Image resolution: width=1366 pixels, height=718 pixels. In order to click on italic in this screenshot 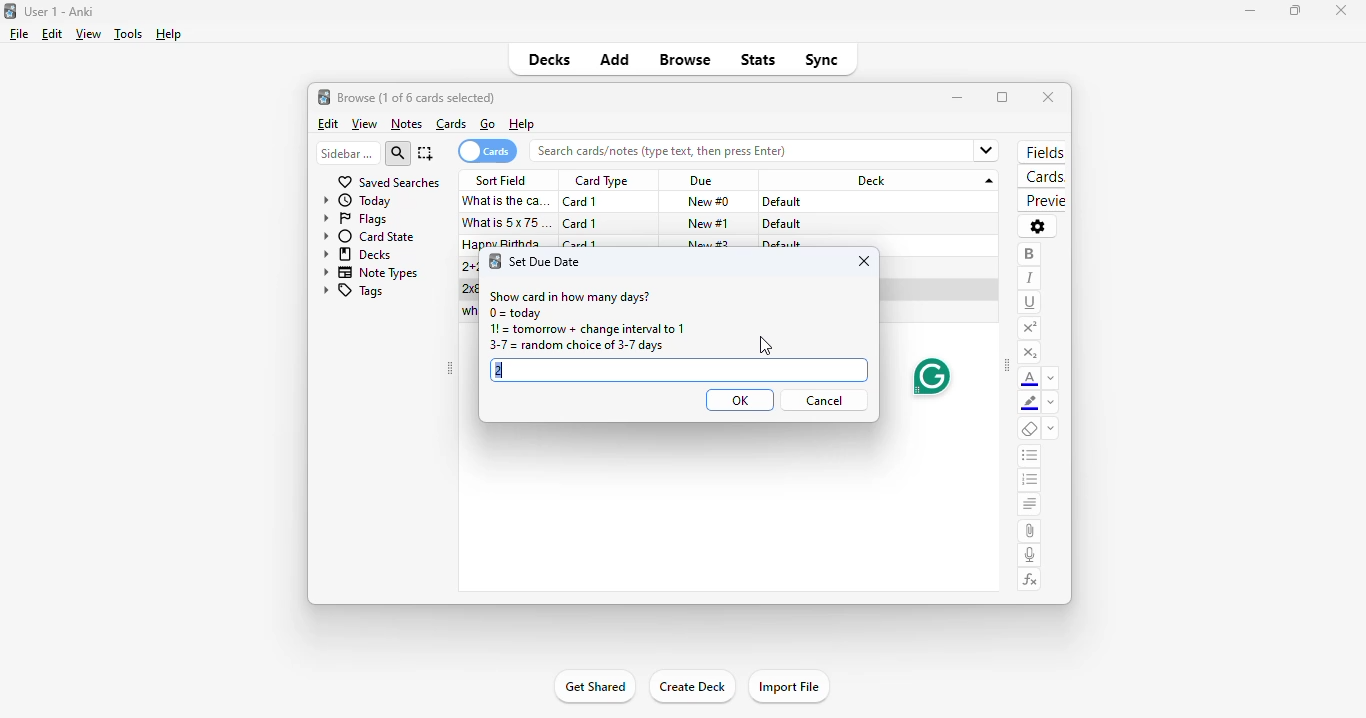, I will do `click(1029, 278)`.